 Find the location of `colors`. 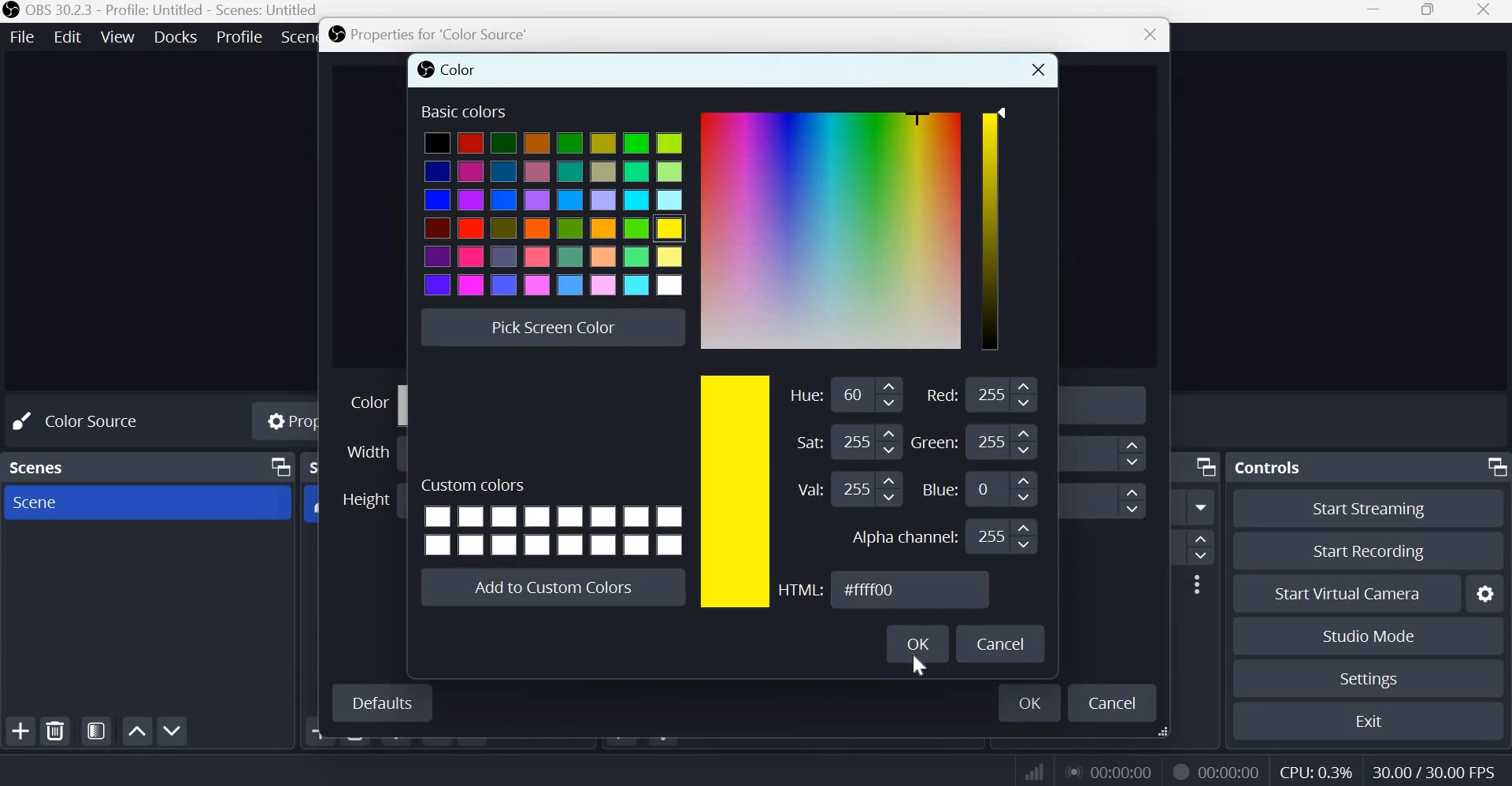

colors is located at coordinates (554, 217).